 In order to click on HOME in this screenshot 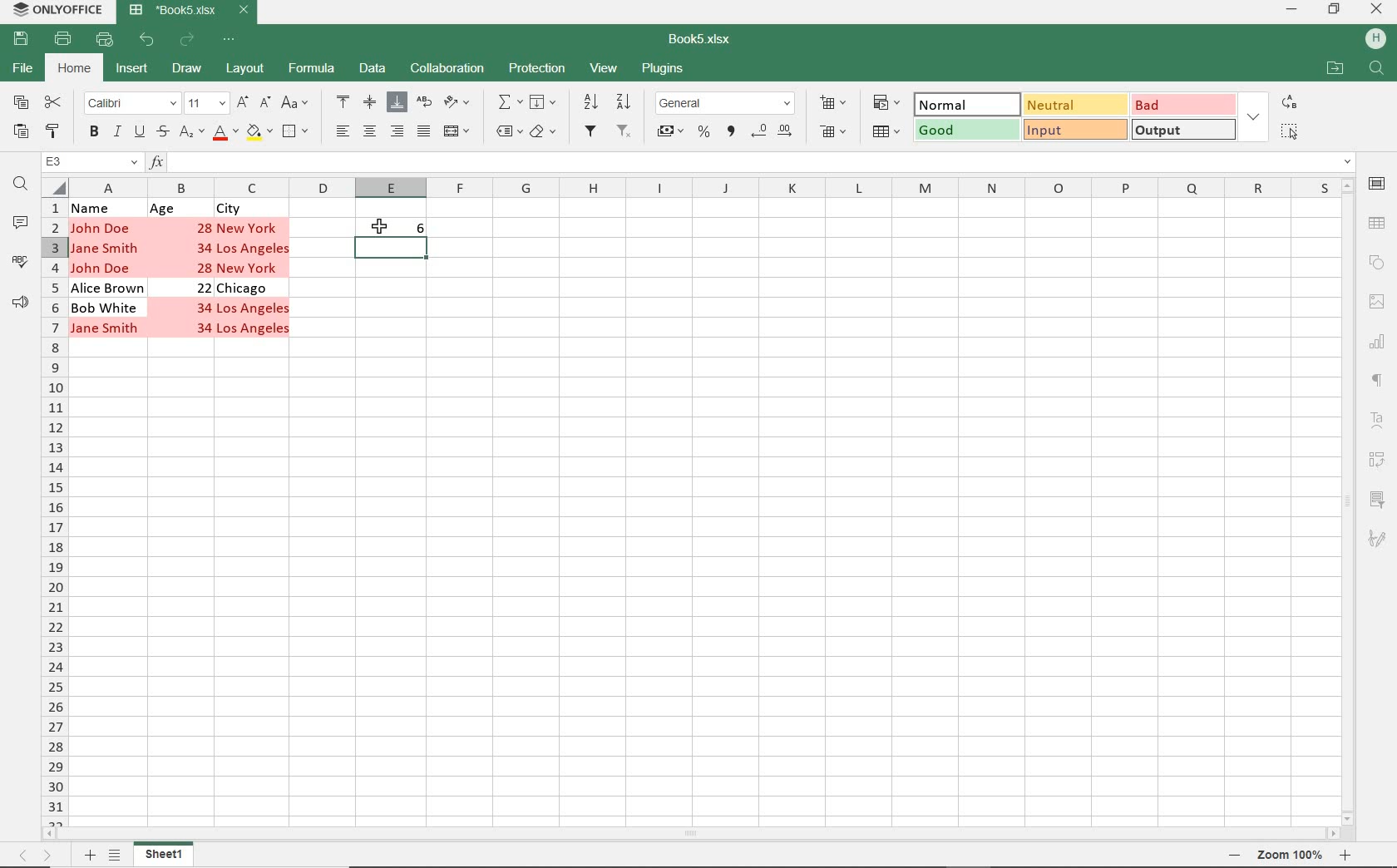, I will do `click(73, 69)`.